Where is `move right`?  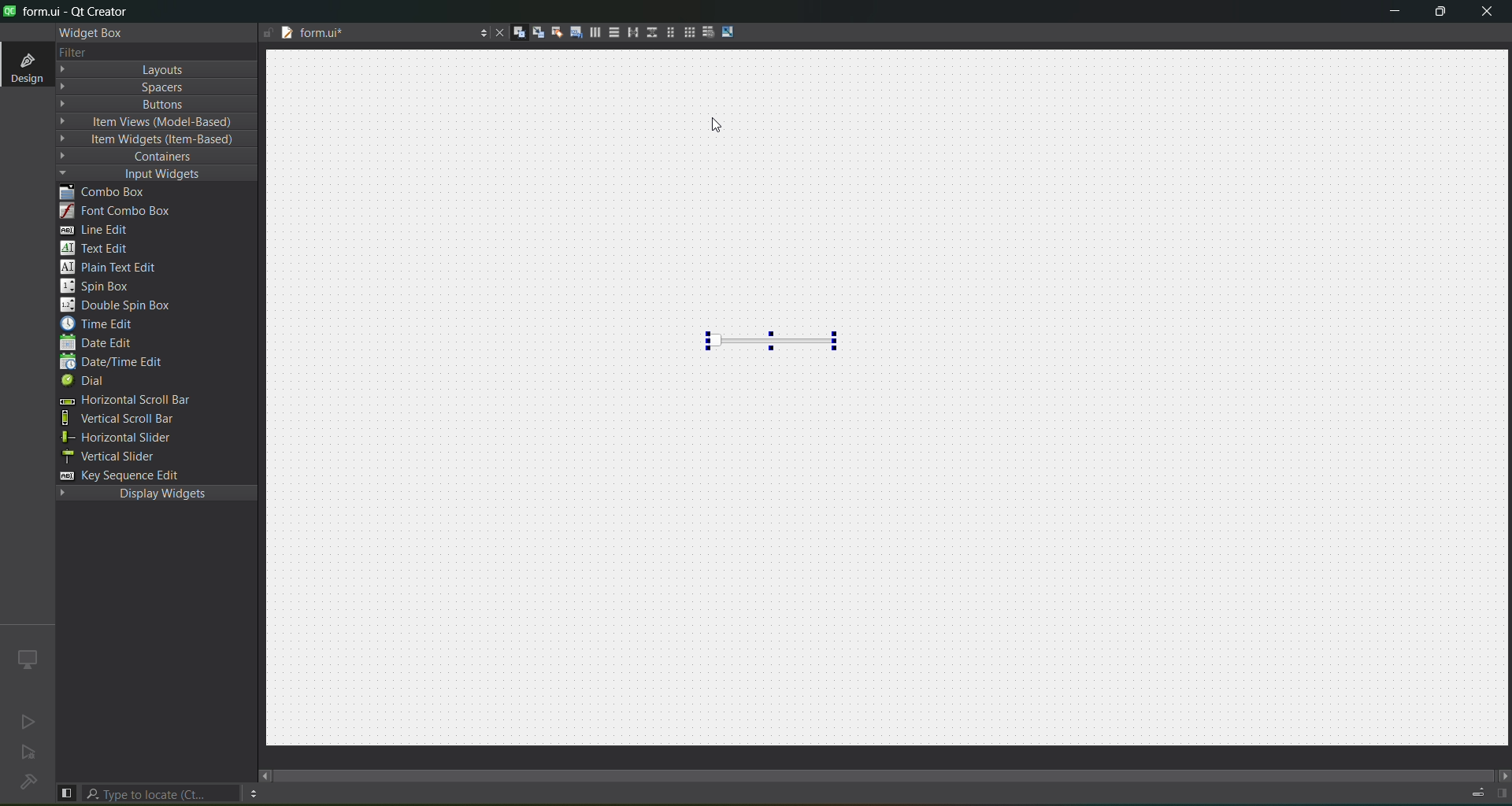 move right is located at coordinates (1502, 773).